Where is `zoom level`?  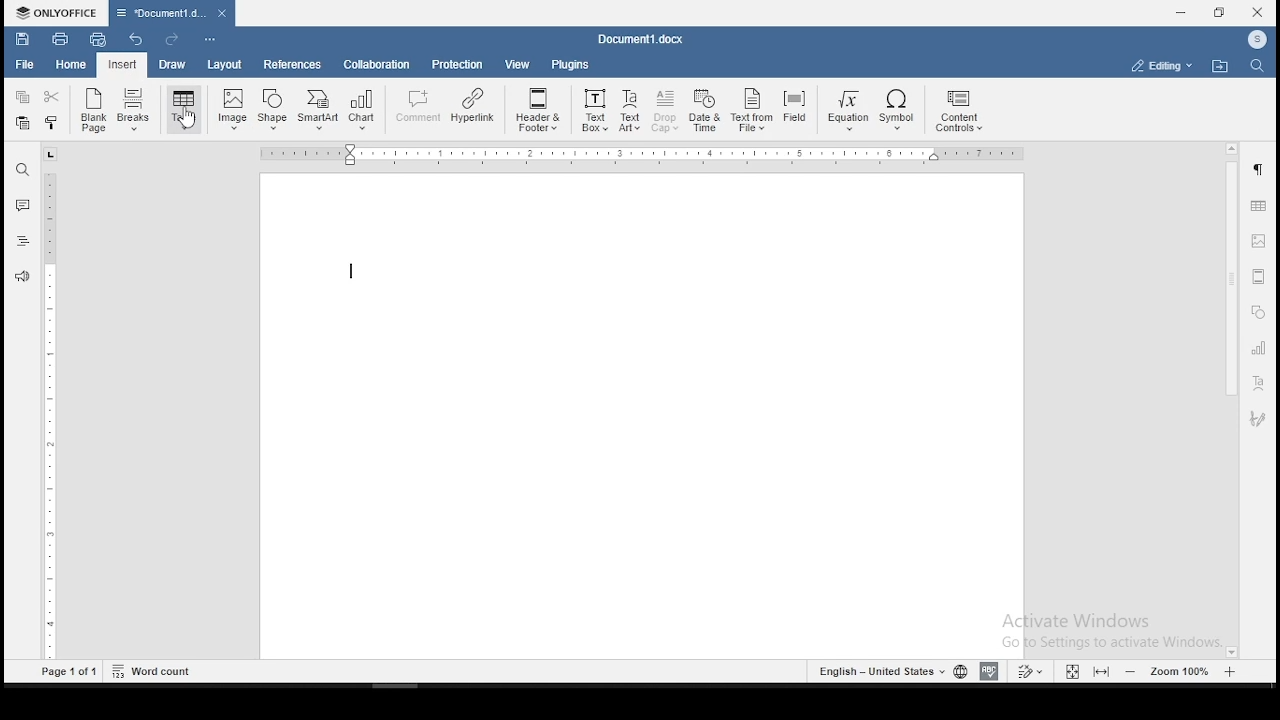
zoom level is located at coordinates (1181, 671).